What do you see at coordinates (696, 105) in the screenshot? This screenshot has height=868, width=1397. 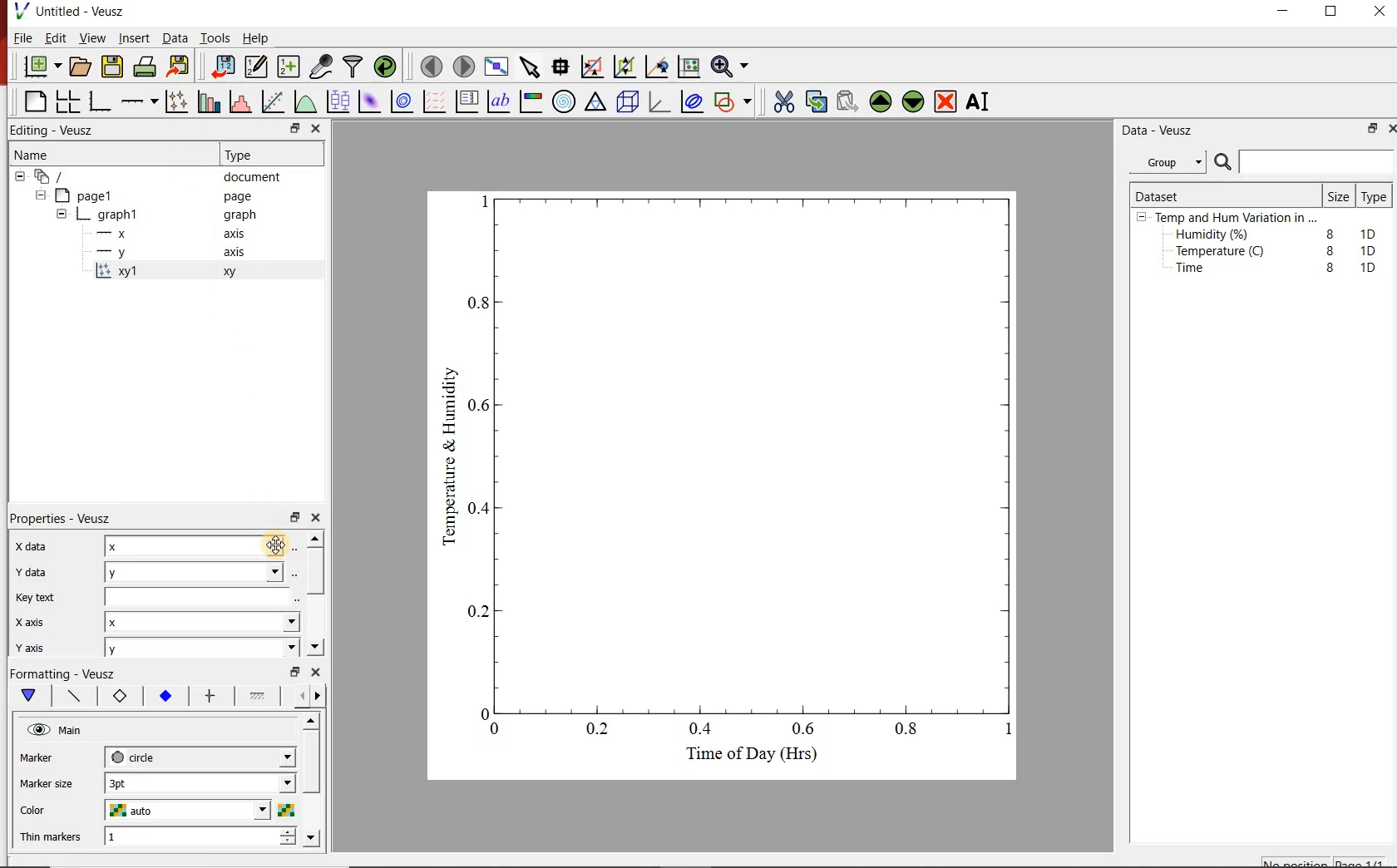 I see `plot covariance ellipses` at bounding box center [696, 105].